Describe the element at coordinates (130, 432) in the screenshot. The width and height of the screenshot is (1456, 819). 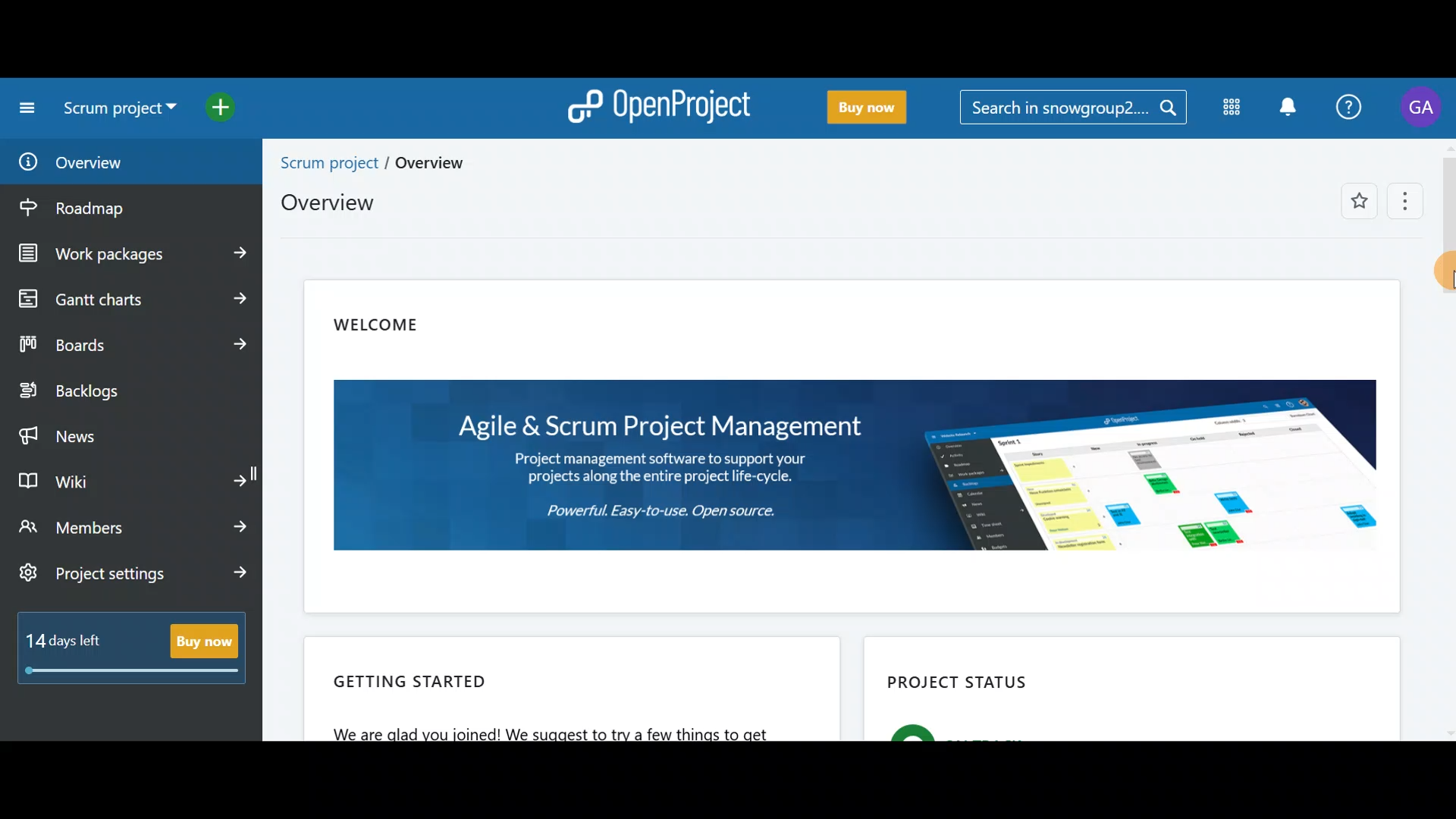
I see `News` at that location.